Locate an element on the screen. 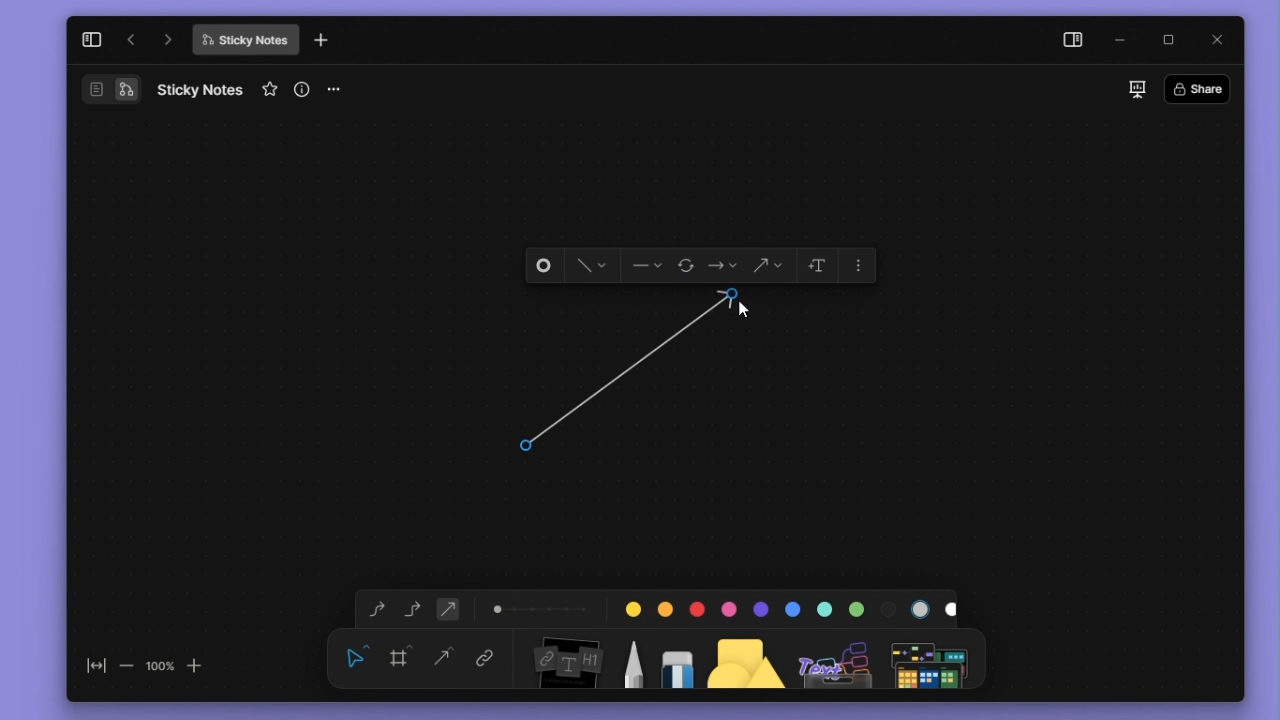  100% is located at coordinates (159, 665).